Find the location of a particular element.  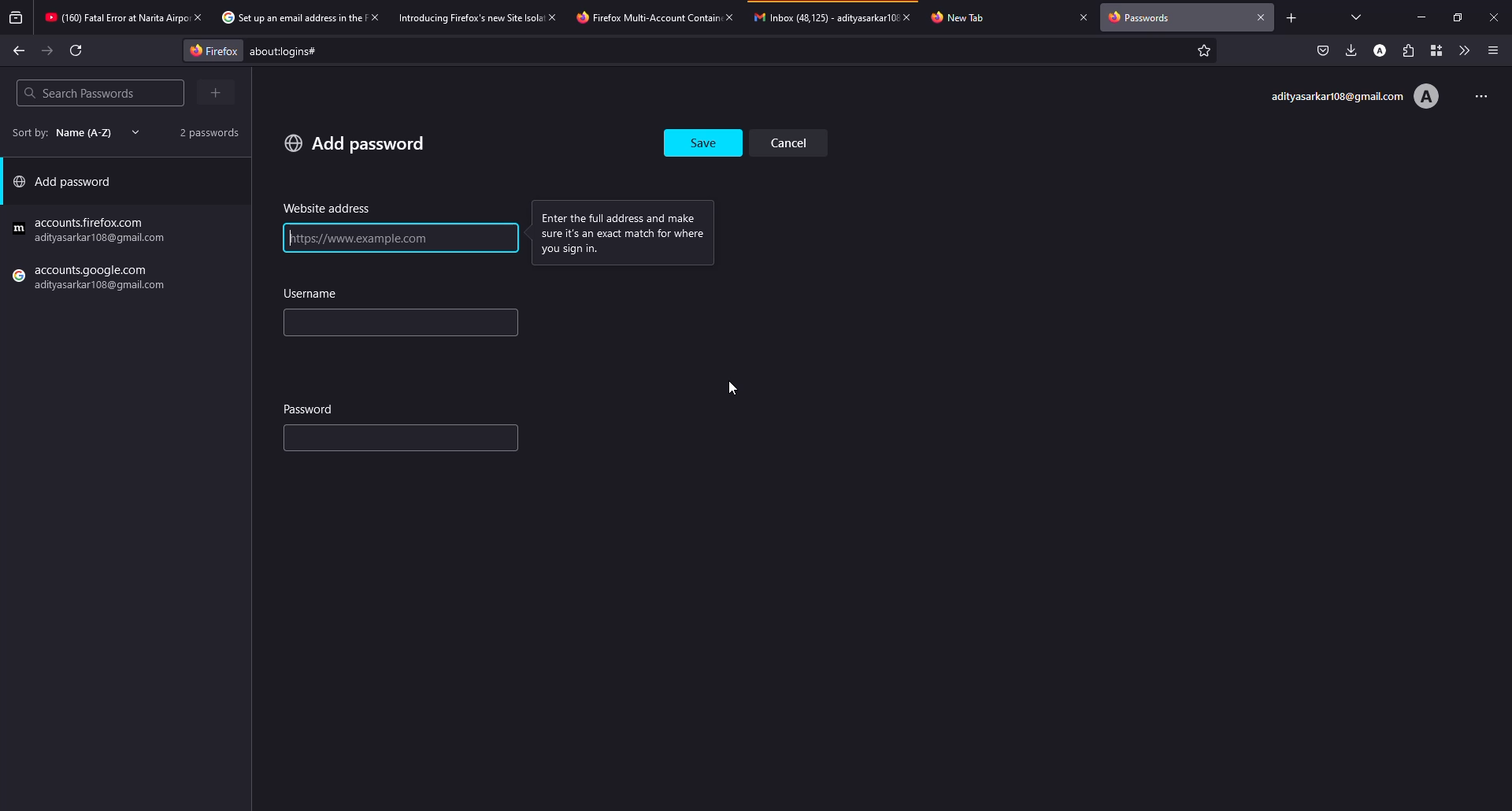

sort by name is located at coordinates (71, 132).